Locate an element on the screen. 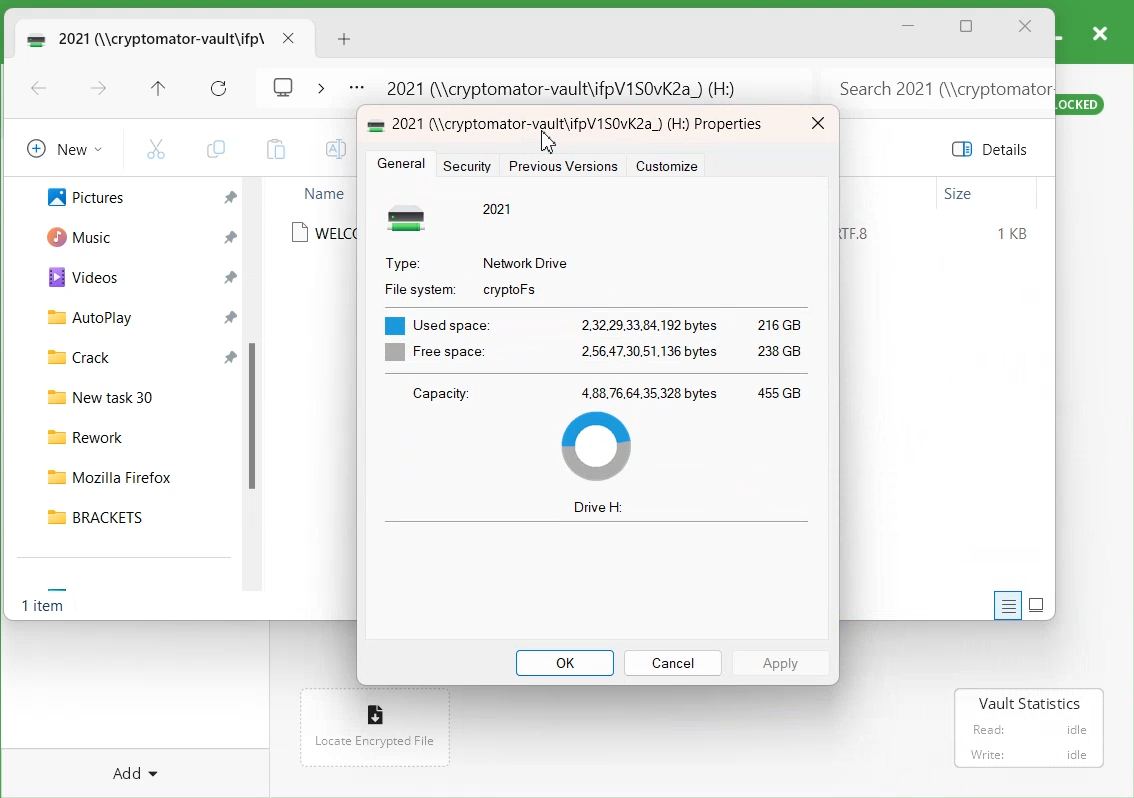 The image size is (1134, 798). Word RTF 8 is located at coordinates (863, 234).